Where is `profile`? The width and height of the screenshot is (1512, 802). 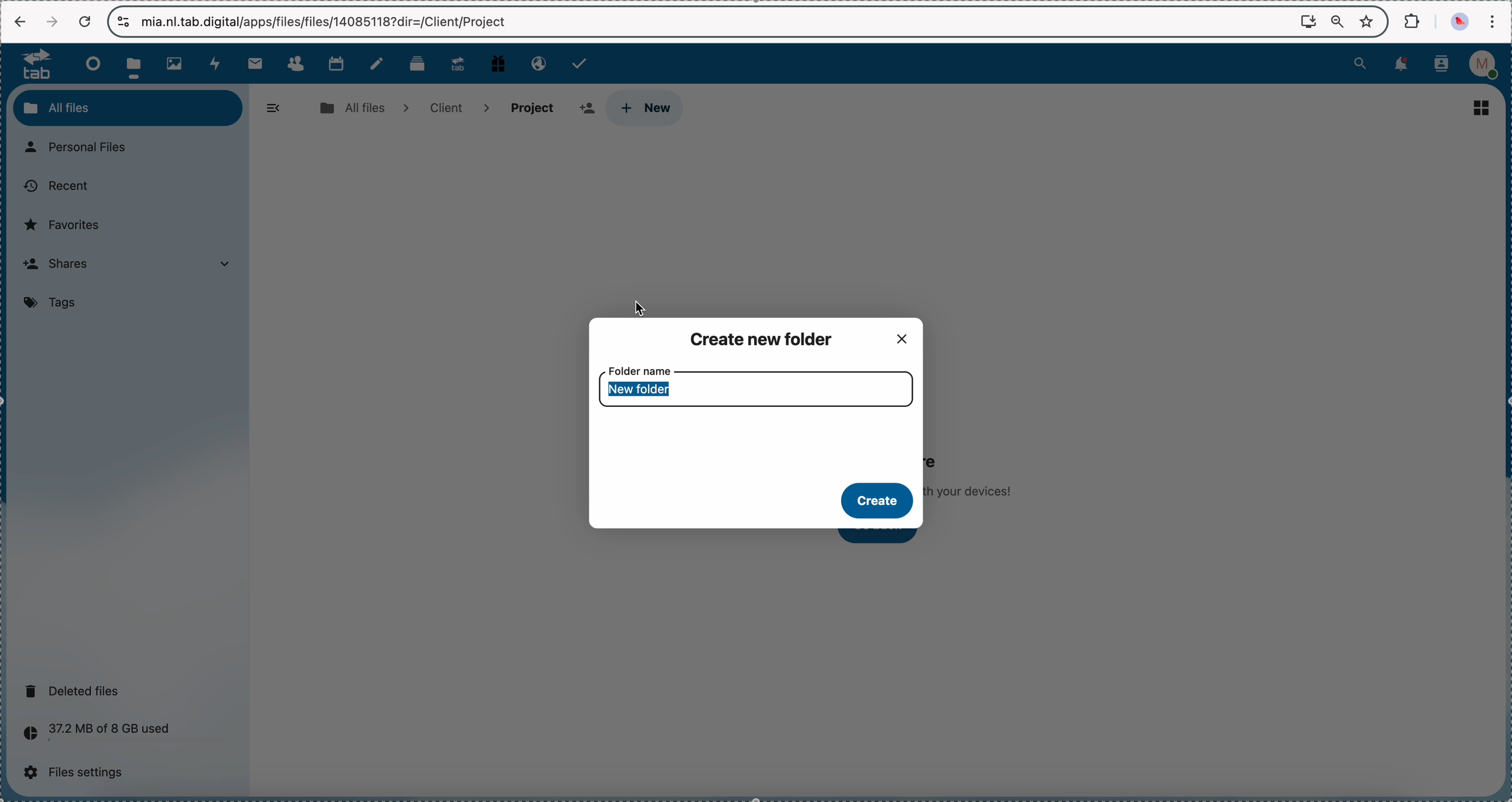 profile is located at coordinates (1487, 65).